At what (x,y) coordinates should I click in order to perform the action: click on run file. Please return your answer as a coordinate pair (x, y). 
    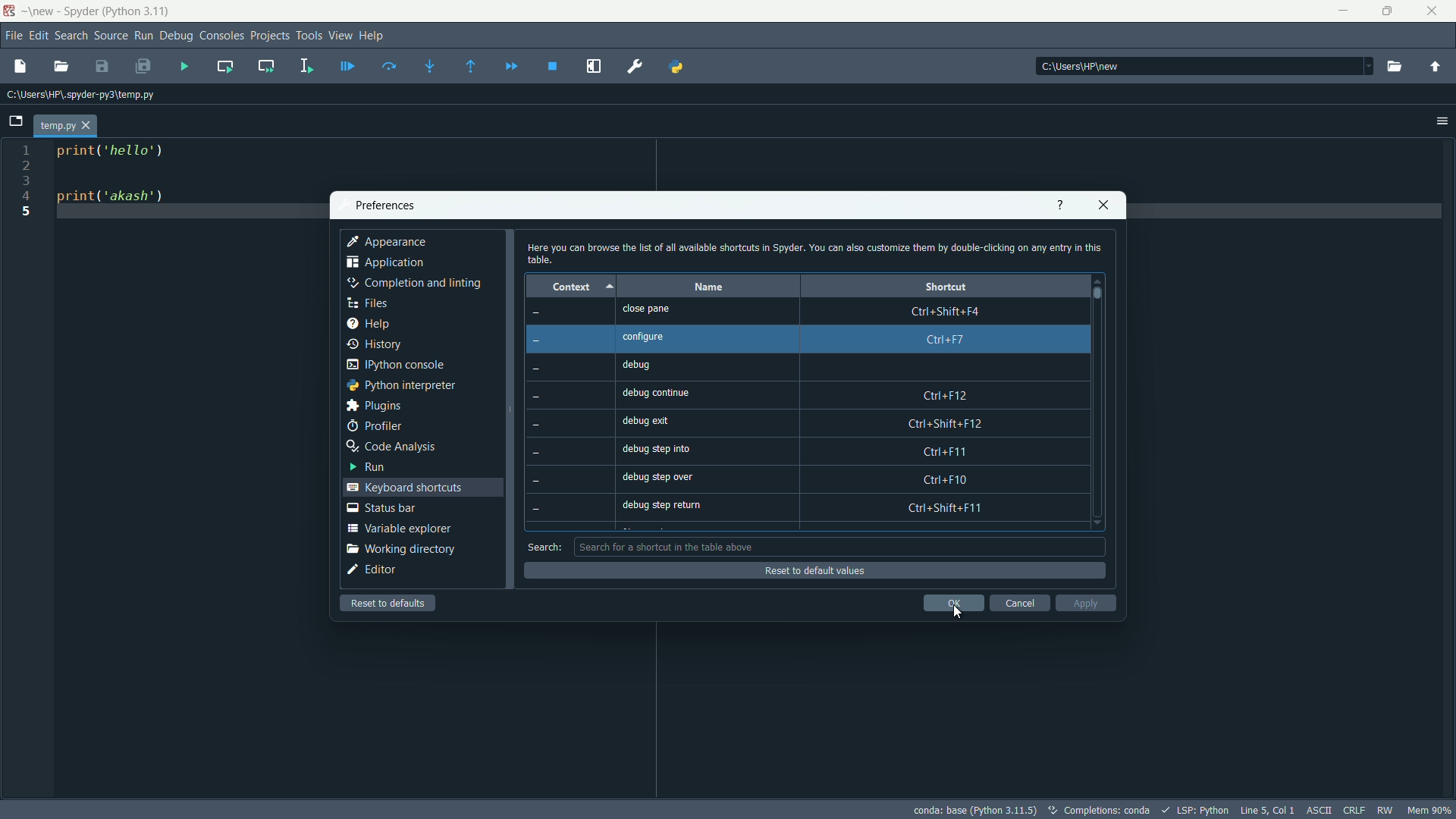
    Looking at the image, I should click on (183, 66).